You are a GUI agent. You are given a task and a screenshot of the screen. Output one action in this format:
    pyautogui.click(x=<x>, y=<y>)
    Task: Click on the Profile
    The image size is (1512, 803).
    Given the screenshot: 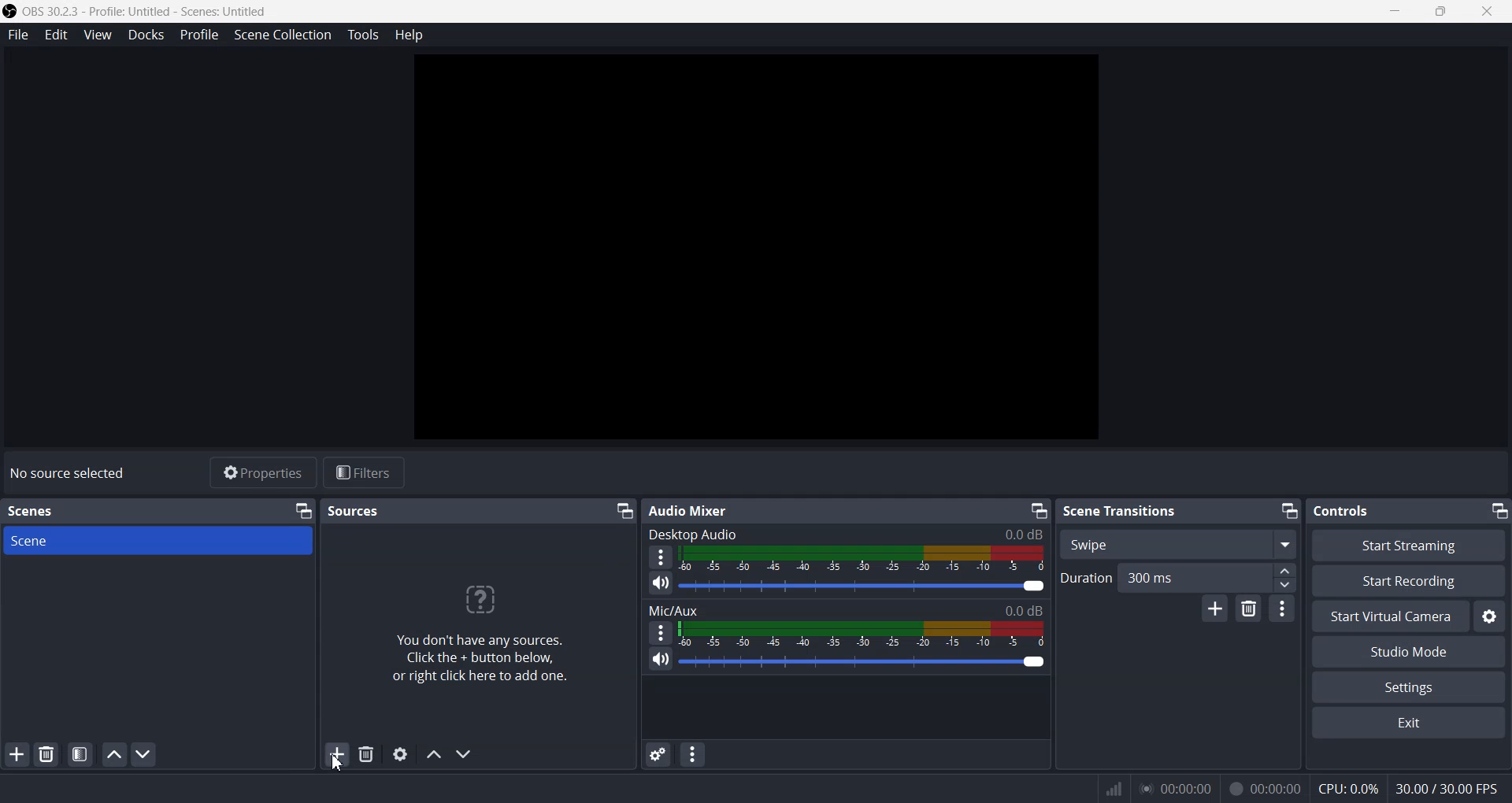 What is the action you would take?
    pyautogui.click(x=199, y=35)
    